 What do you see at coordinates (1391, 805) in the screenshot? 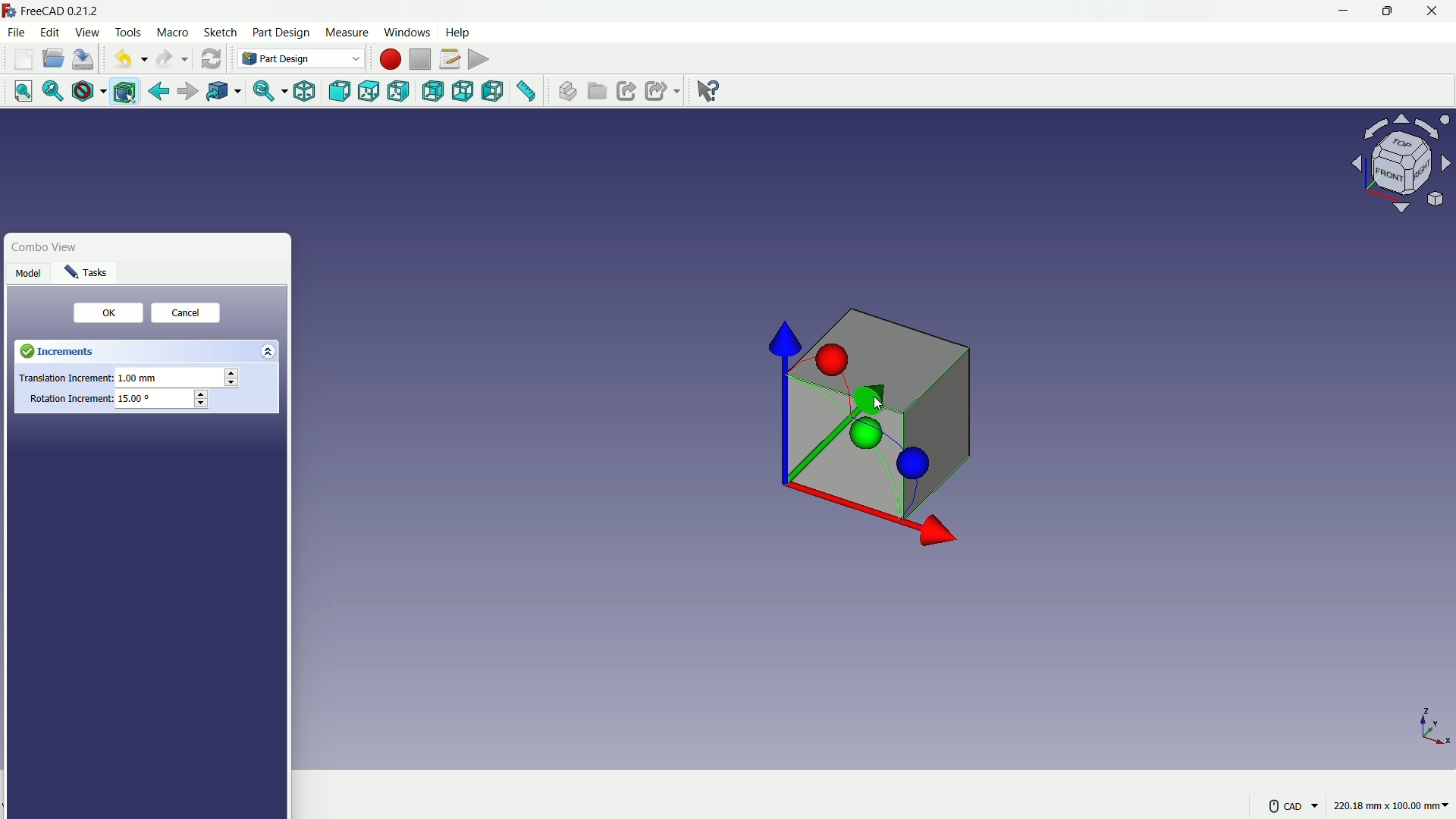
I see `220.18 mm x 100.00 mm~` at bounding box center [1391, 805].